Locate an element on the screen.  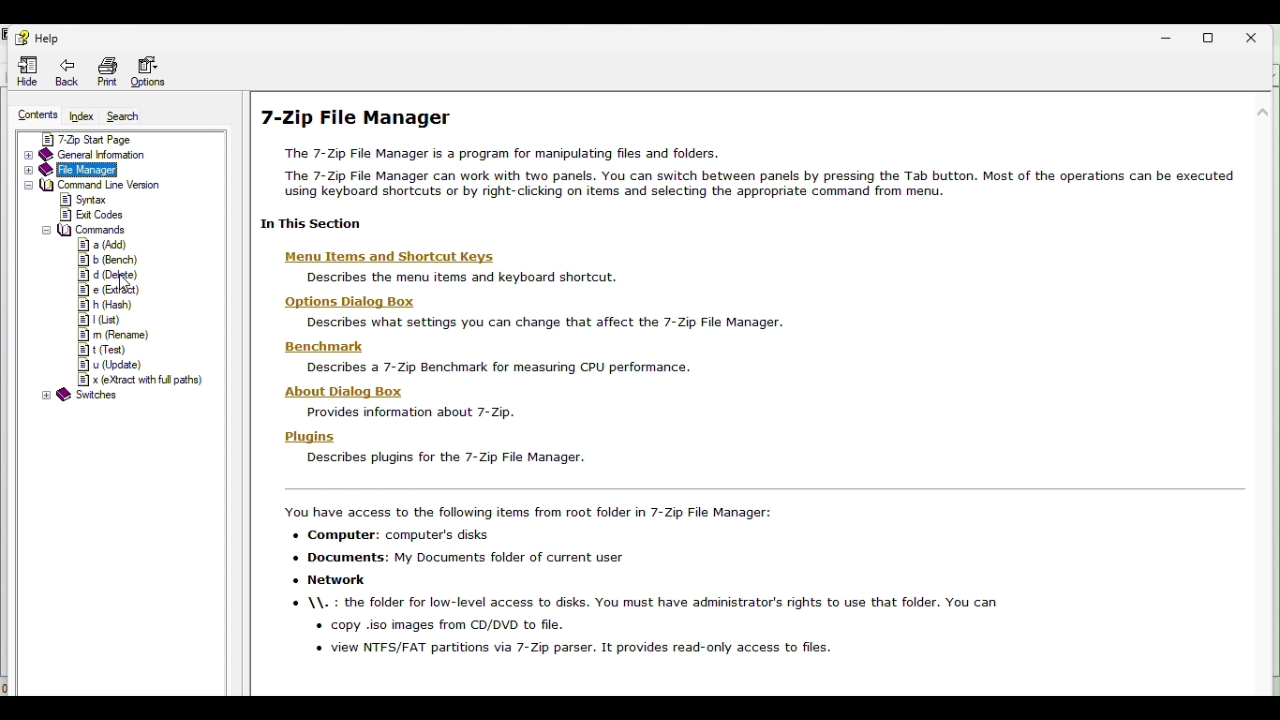
commands is located at coordinates (78, 230).